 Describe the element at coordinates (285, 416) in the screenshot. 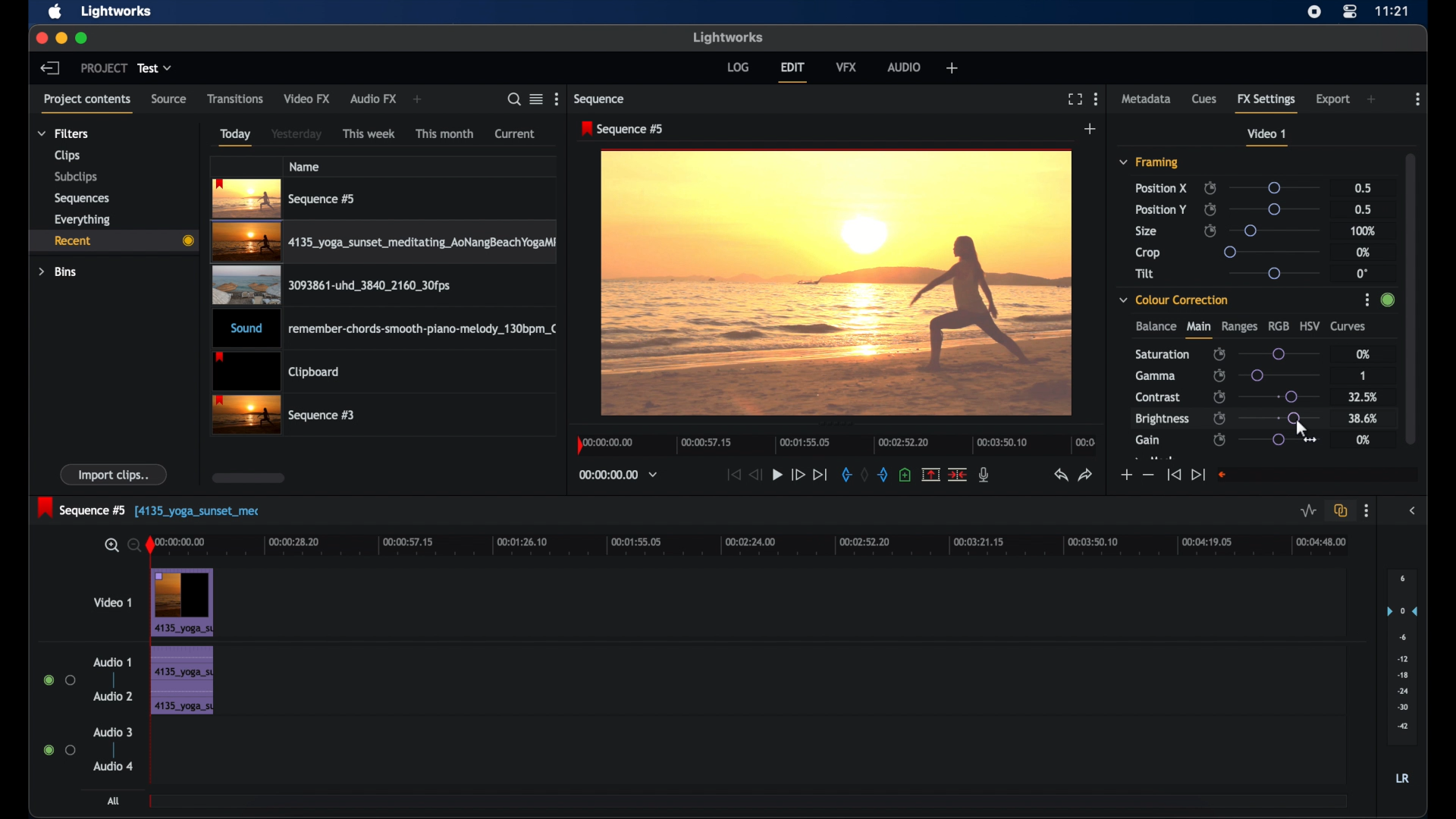

I see `video clip` at that location.